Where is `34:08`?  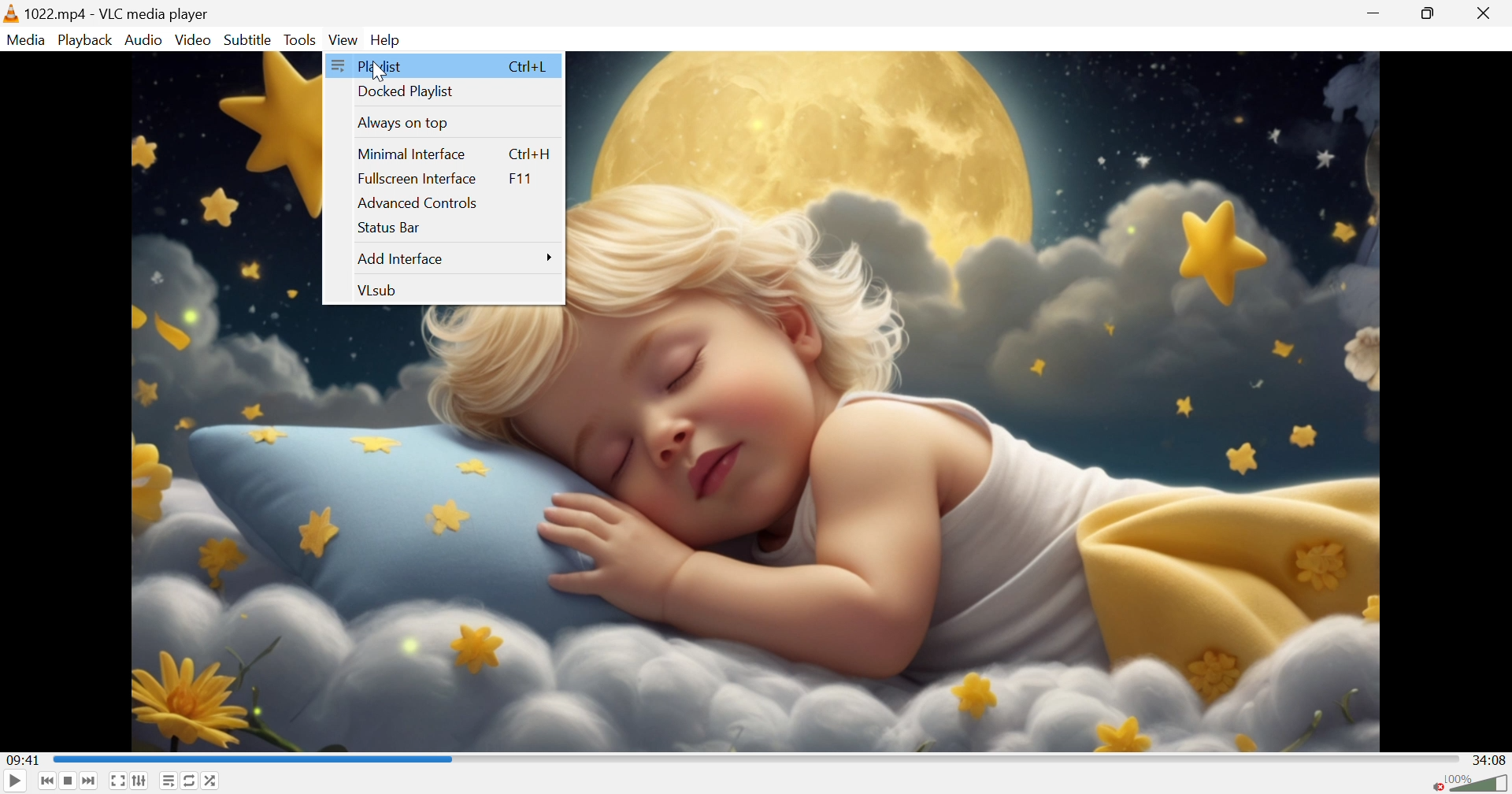 34:08 is located at coordinates (1490, 760).